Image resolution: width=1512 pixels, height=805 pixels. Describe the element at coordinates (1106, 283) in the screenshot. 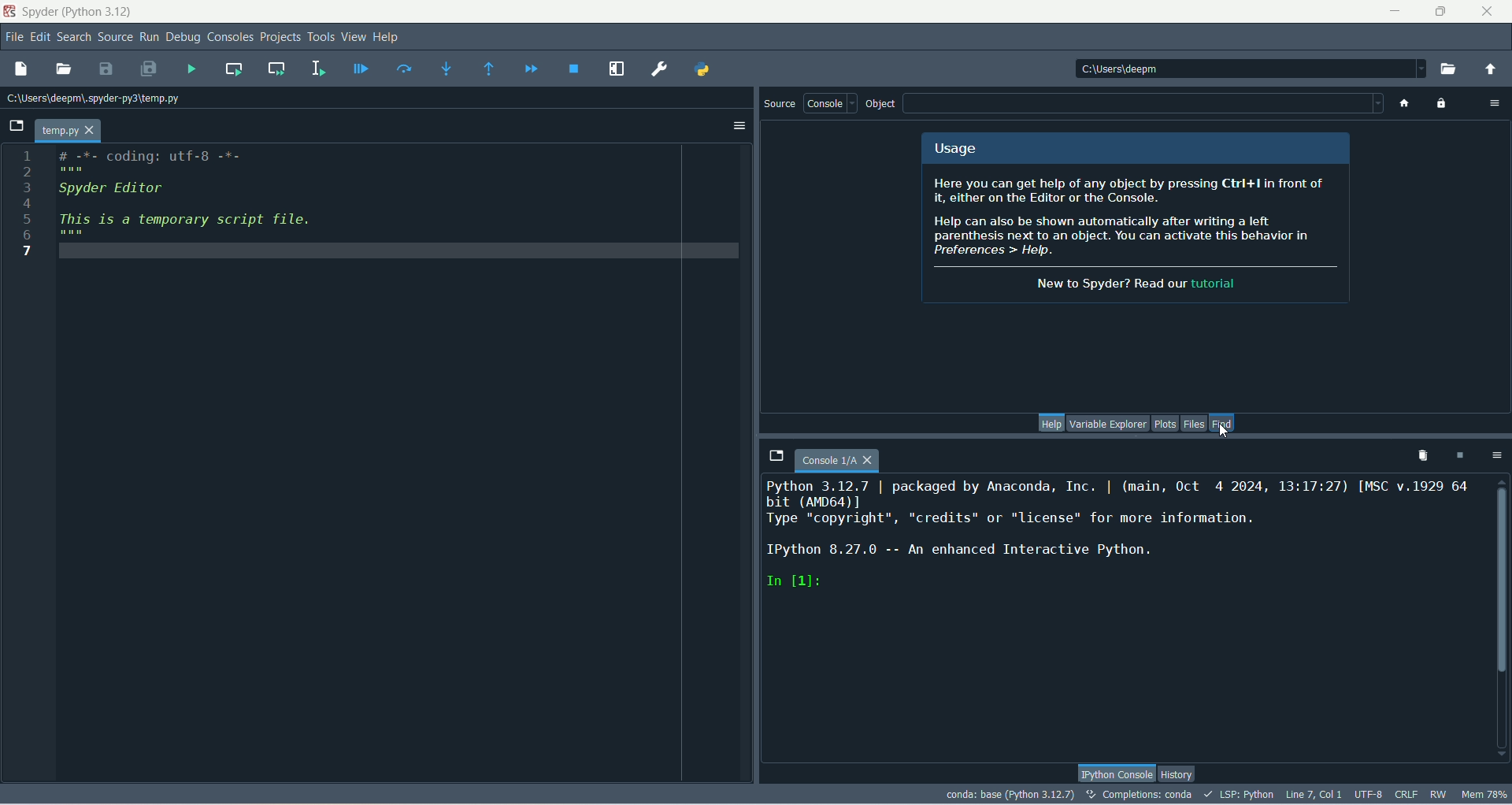

I see `tutorial text` at that location.